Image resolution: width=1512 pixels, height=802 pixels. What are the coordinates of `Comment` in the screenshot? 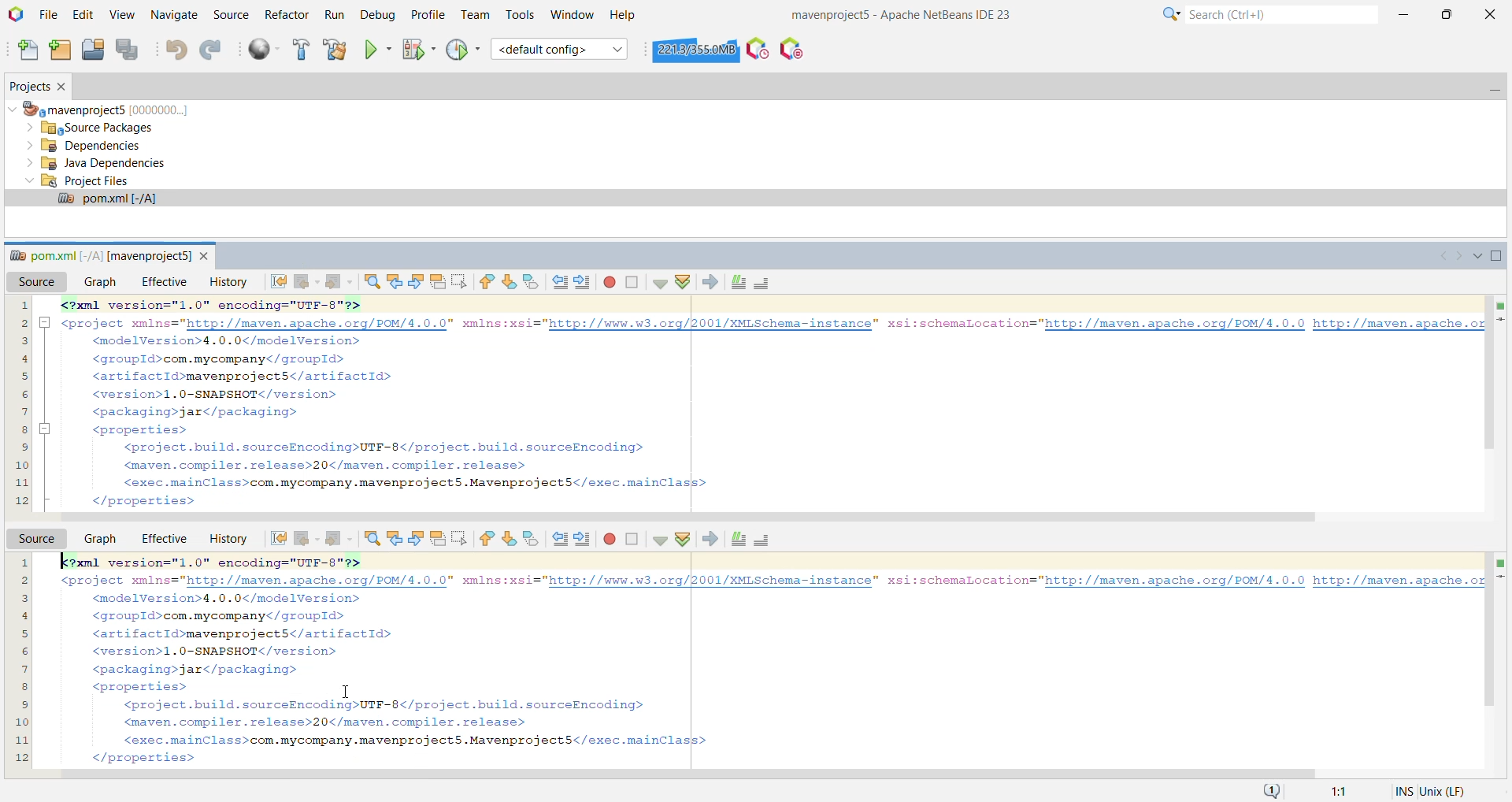 It's located at (739, 539).